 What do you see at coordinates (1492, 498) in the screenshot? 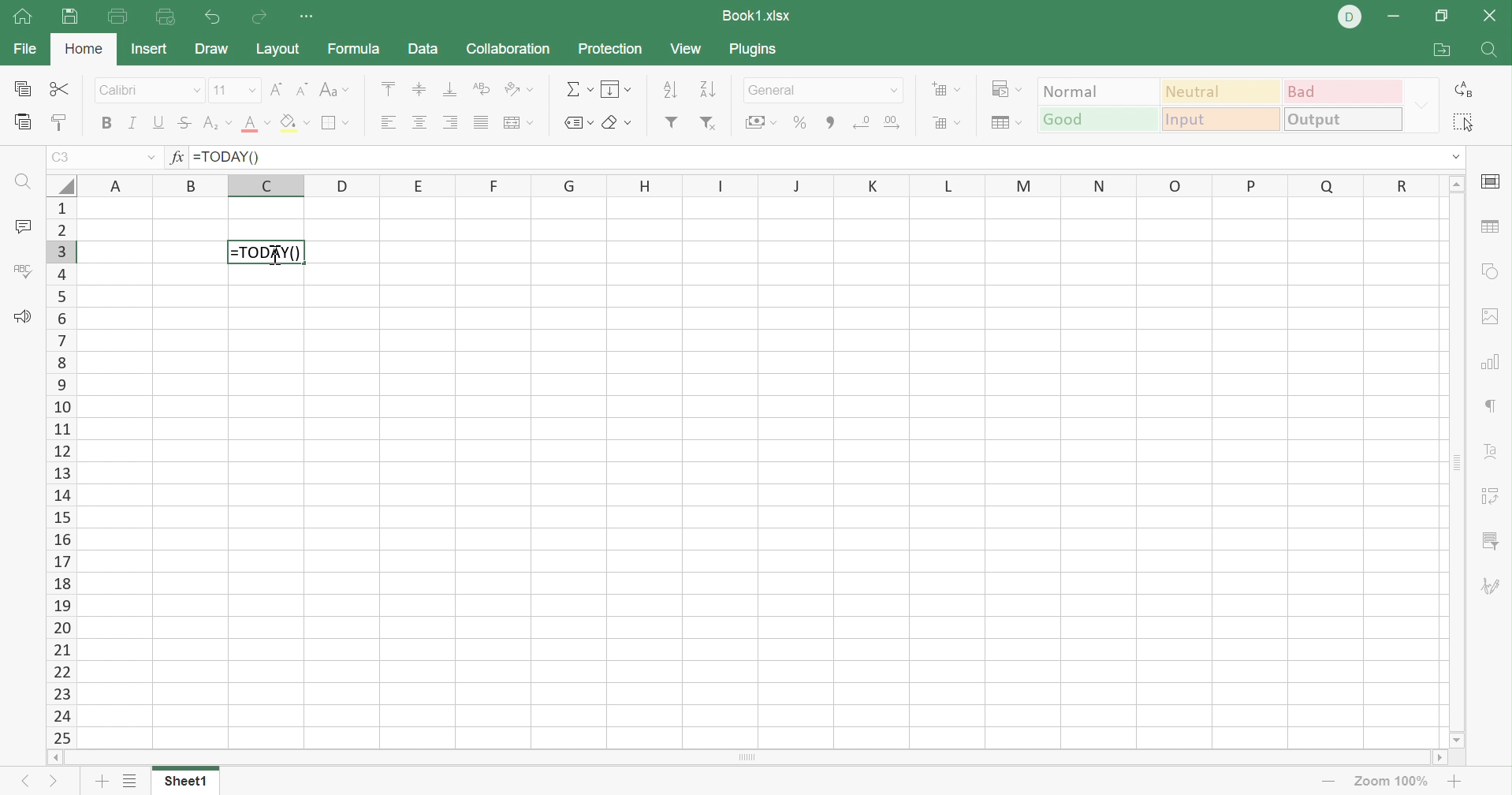
I see `Pivot Table settings` at bounding box center [1492, 498].